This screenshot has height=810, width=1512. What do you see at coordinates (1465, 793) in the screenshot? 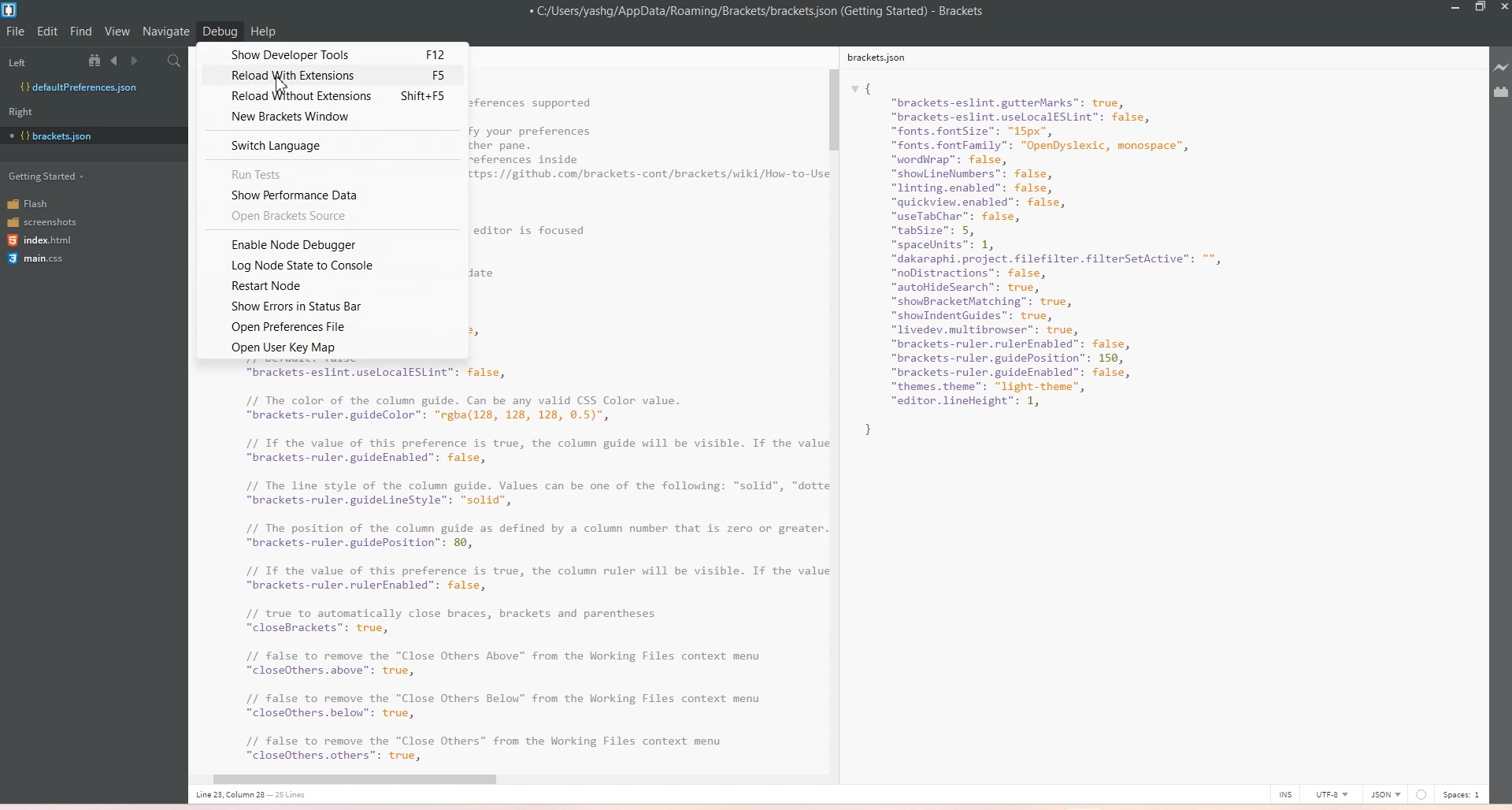
I see `Spaces` at bounding box center [1465, 793].